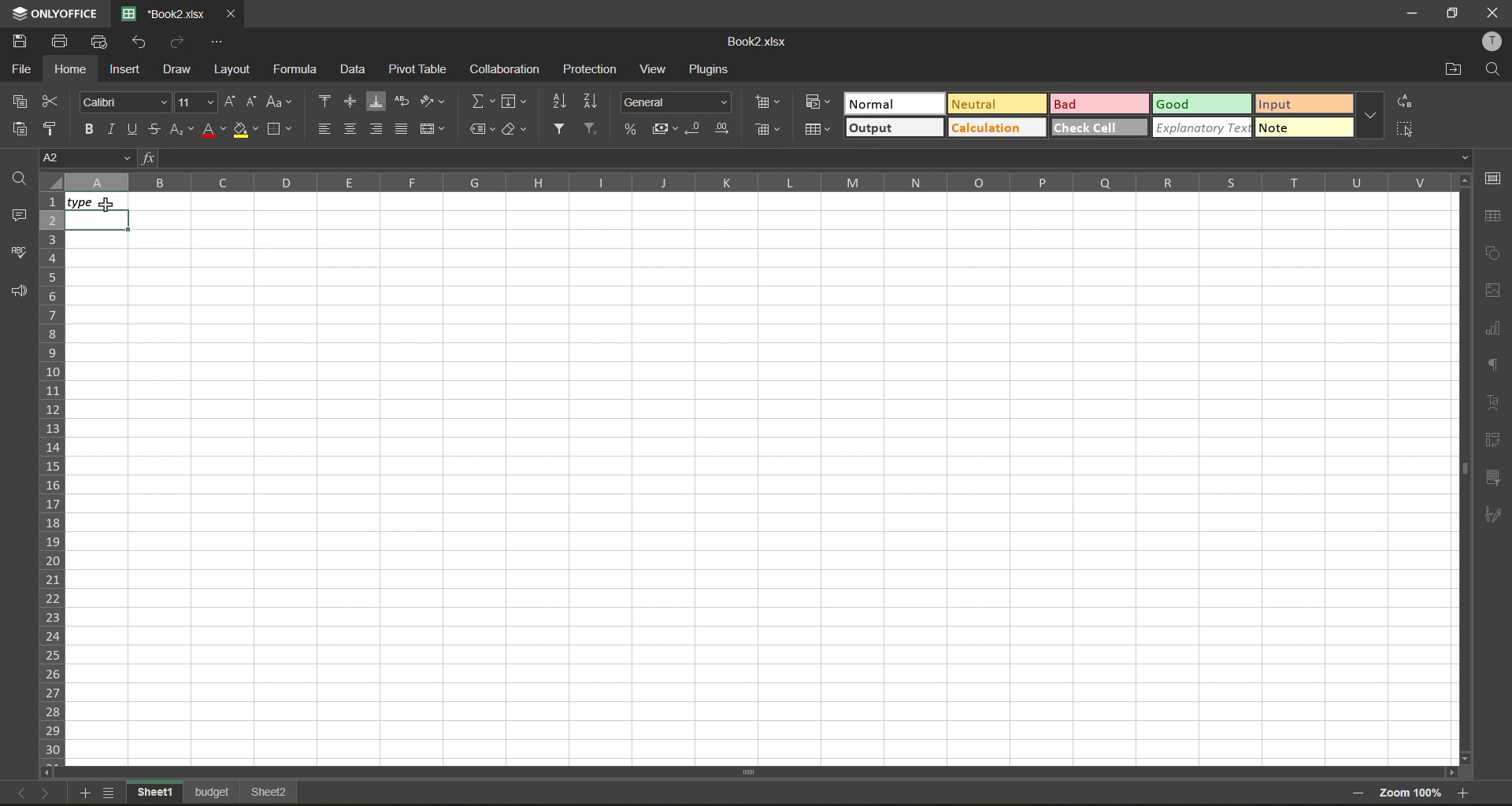 The height and width of the screenshot is (806, 1512). Describe the element at coordinates (1492, 13) in the screenshot. I see `close` at that location.